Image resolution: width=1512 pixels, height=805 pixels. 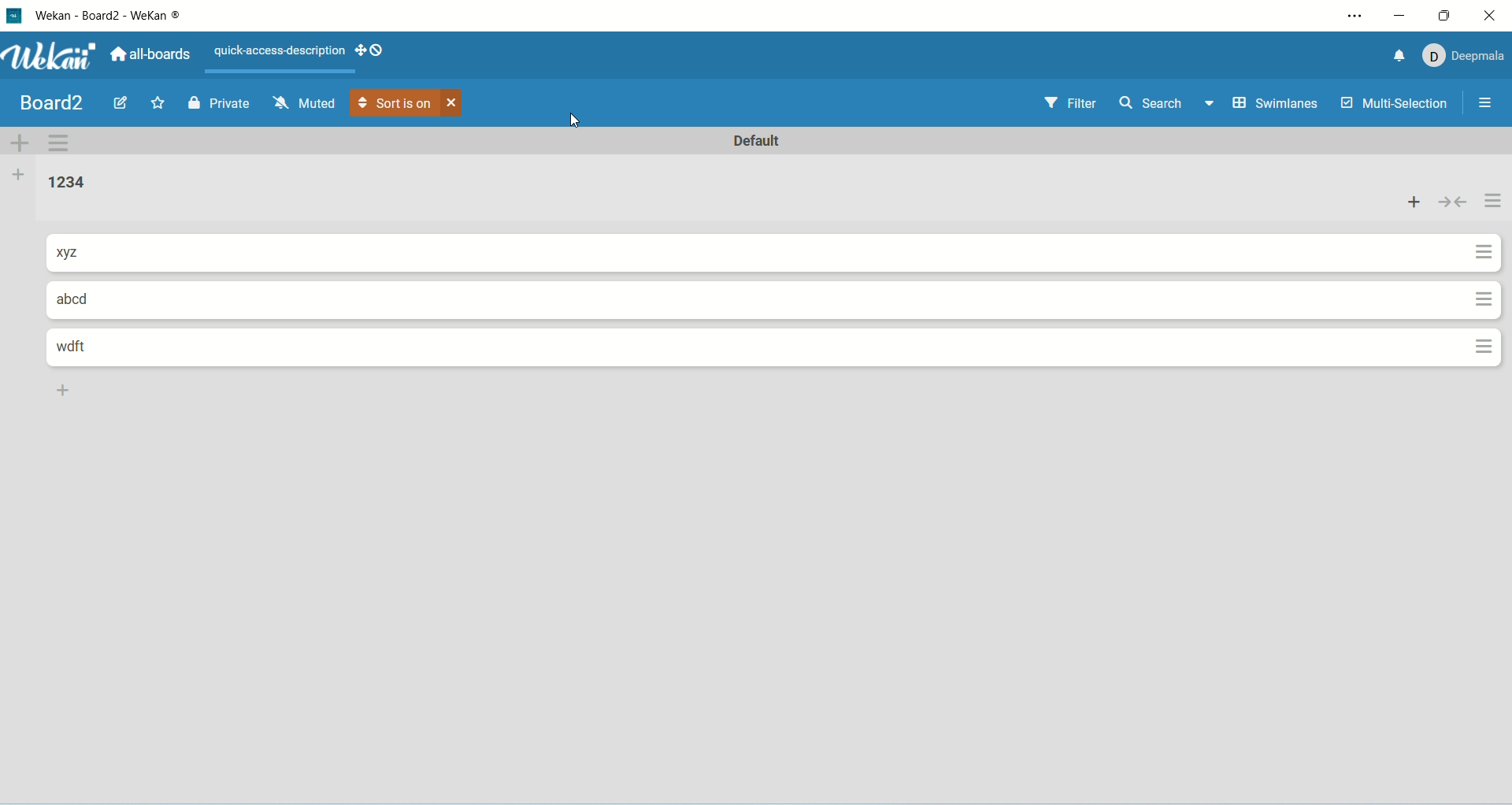 I want to click on card title, so click(x=76, y=299).